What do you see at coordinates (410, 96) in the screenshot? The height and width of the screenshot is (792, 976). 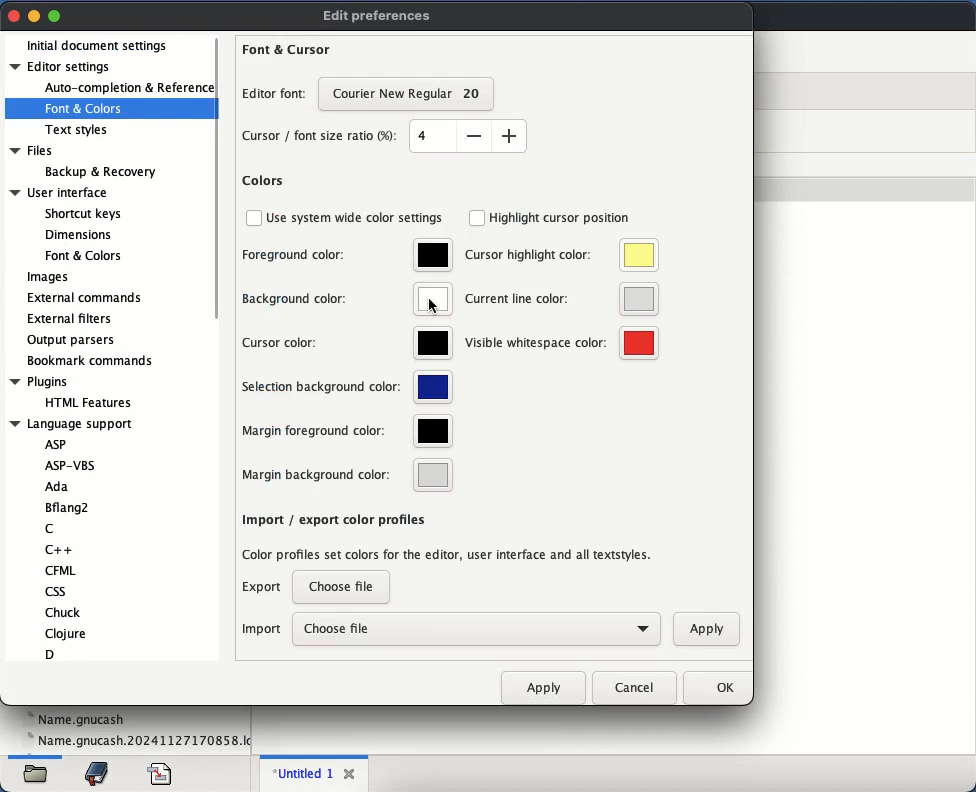 I see `font size` at bounding box center [410, 96].